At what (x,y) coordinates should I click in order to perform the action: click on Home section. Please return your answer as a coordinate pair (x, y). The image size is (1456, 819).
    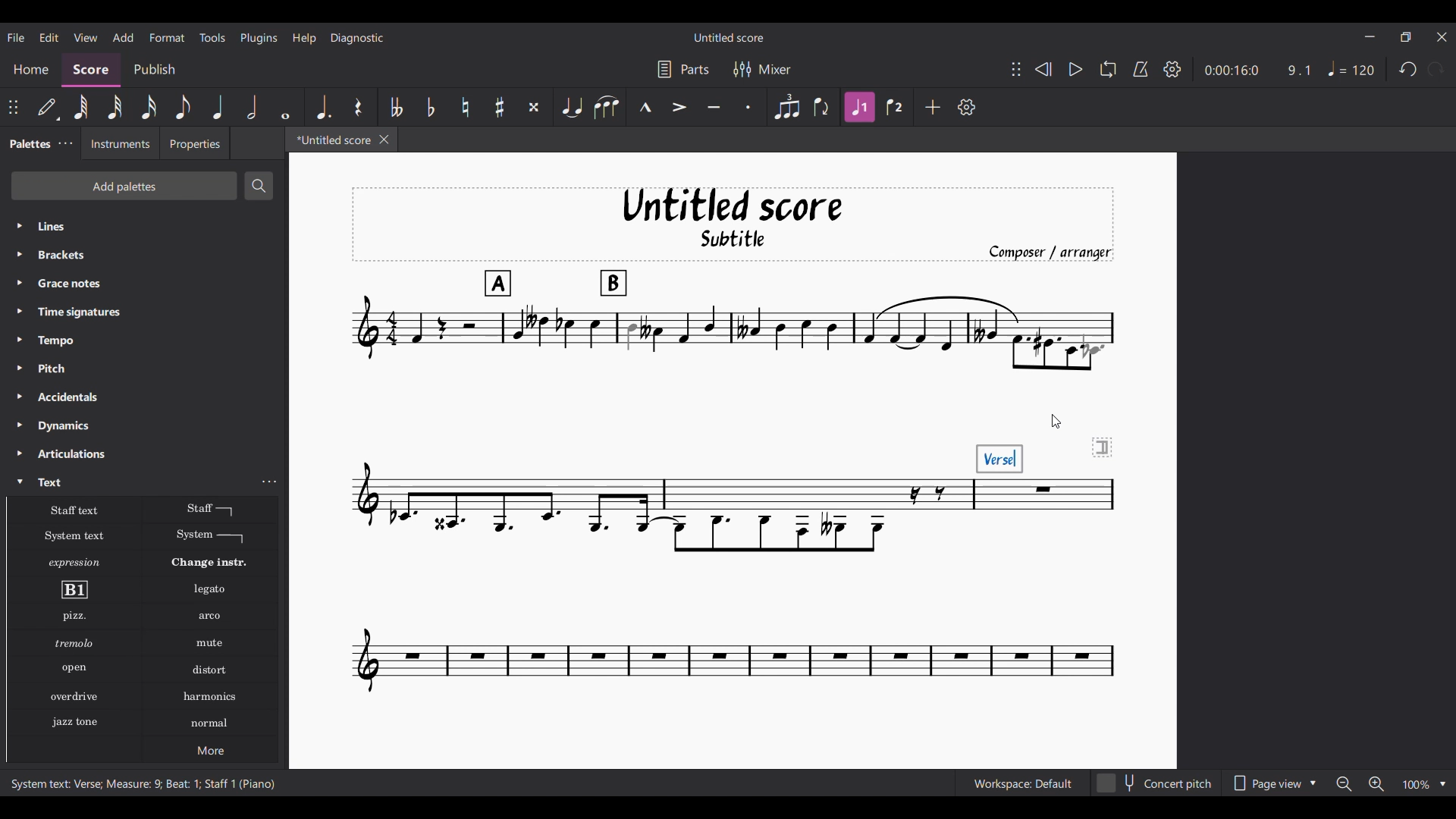
    Looking at the image, I should click on (30, 70).